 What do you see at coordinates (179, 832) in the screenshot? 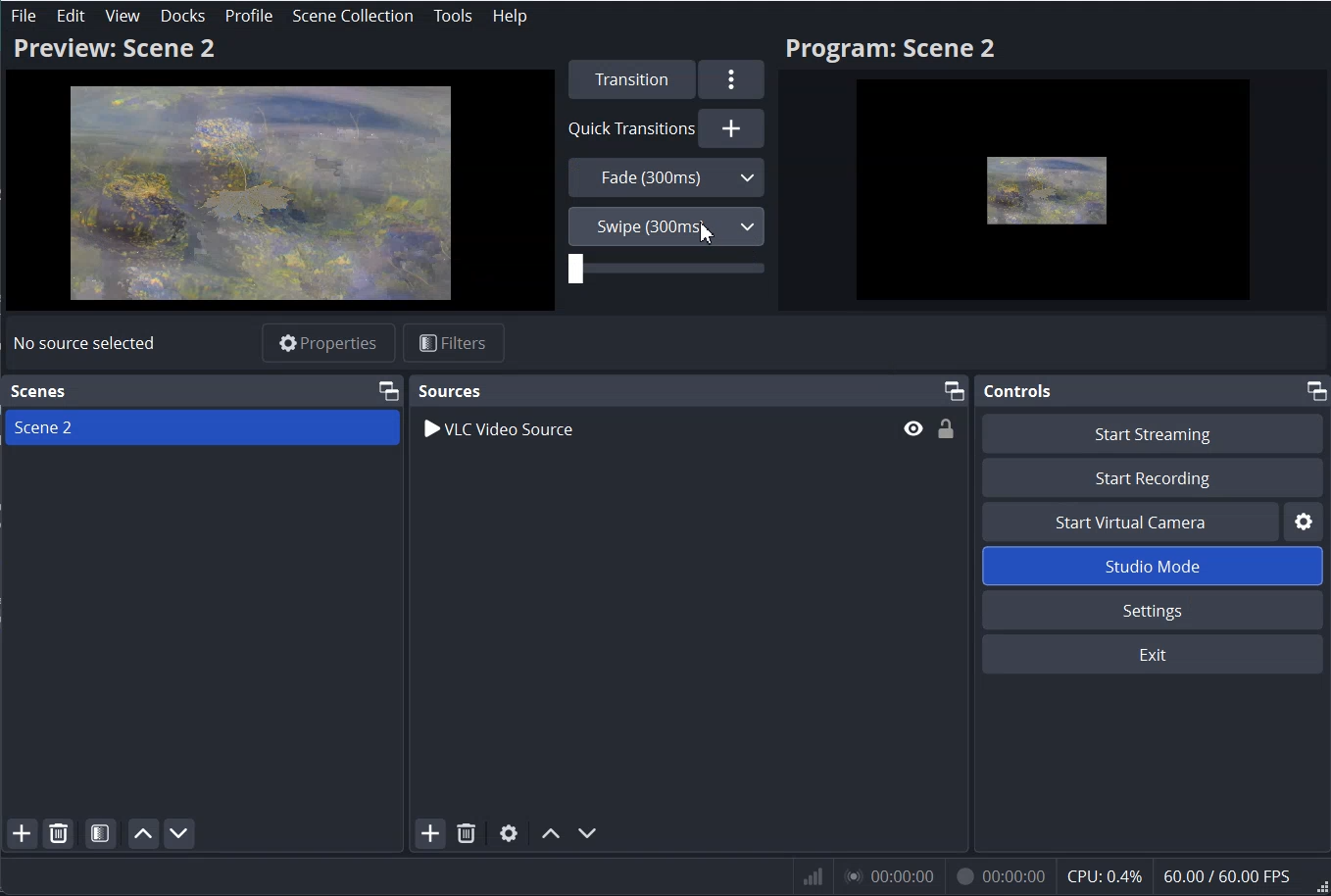
I see `Move scene Down` at bounding box center [179, 832].